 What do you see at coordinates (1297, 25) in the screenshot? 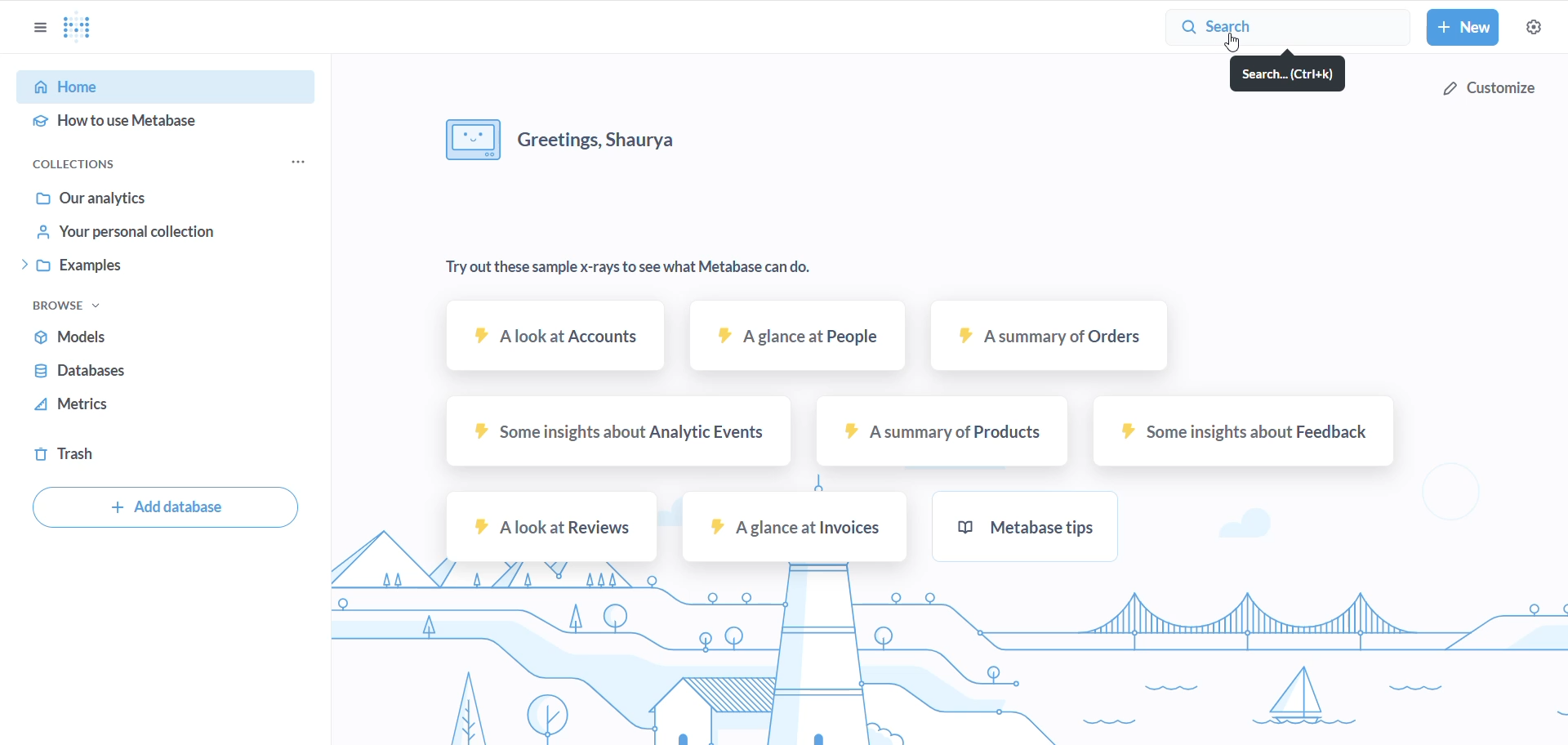
I see `search button` at bounding box center [1297, 25].